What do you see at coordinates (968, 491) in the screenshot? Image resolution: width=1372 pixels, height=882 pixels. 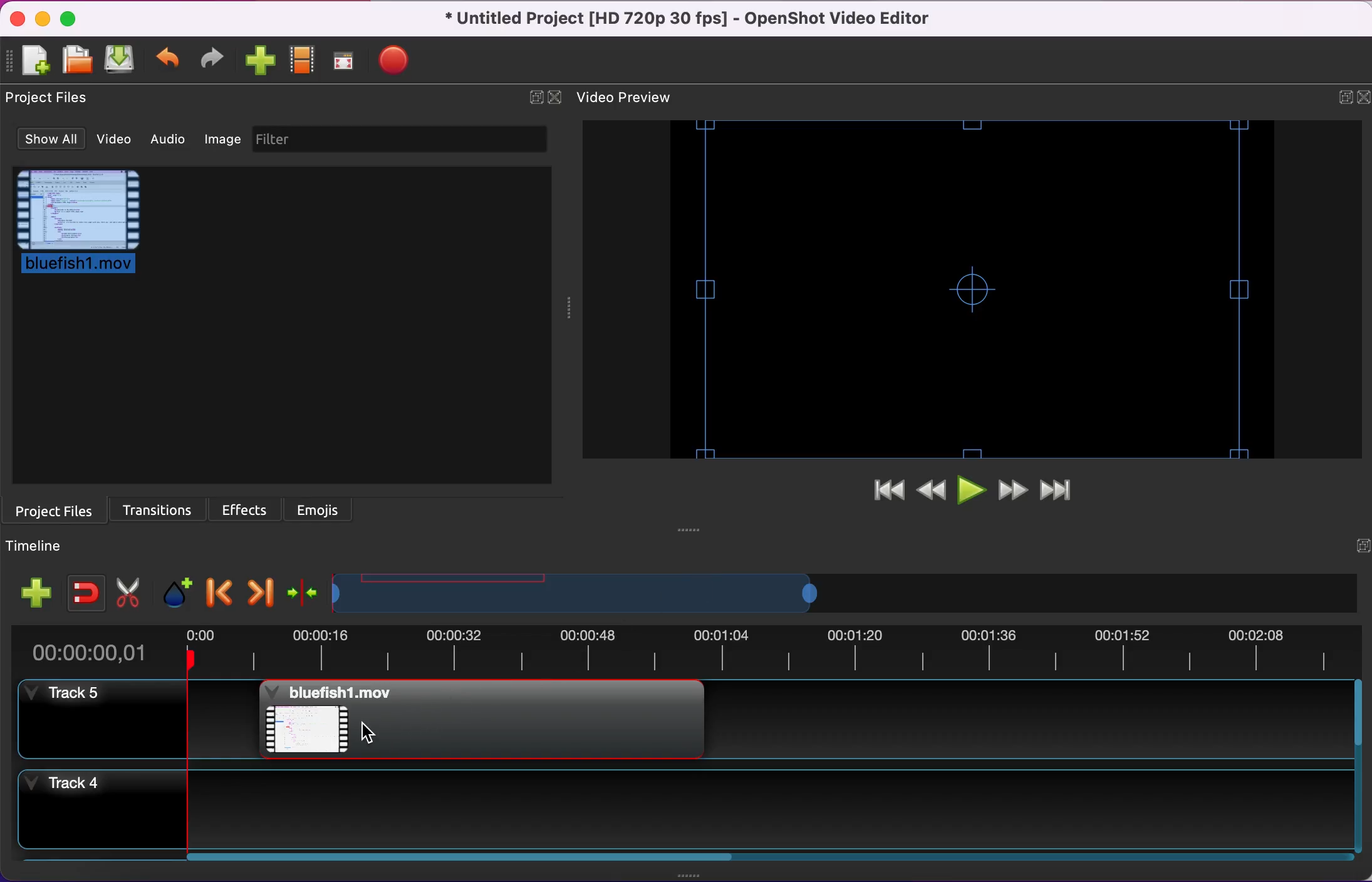 I see `play` at bounding box center [968, 491].